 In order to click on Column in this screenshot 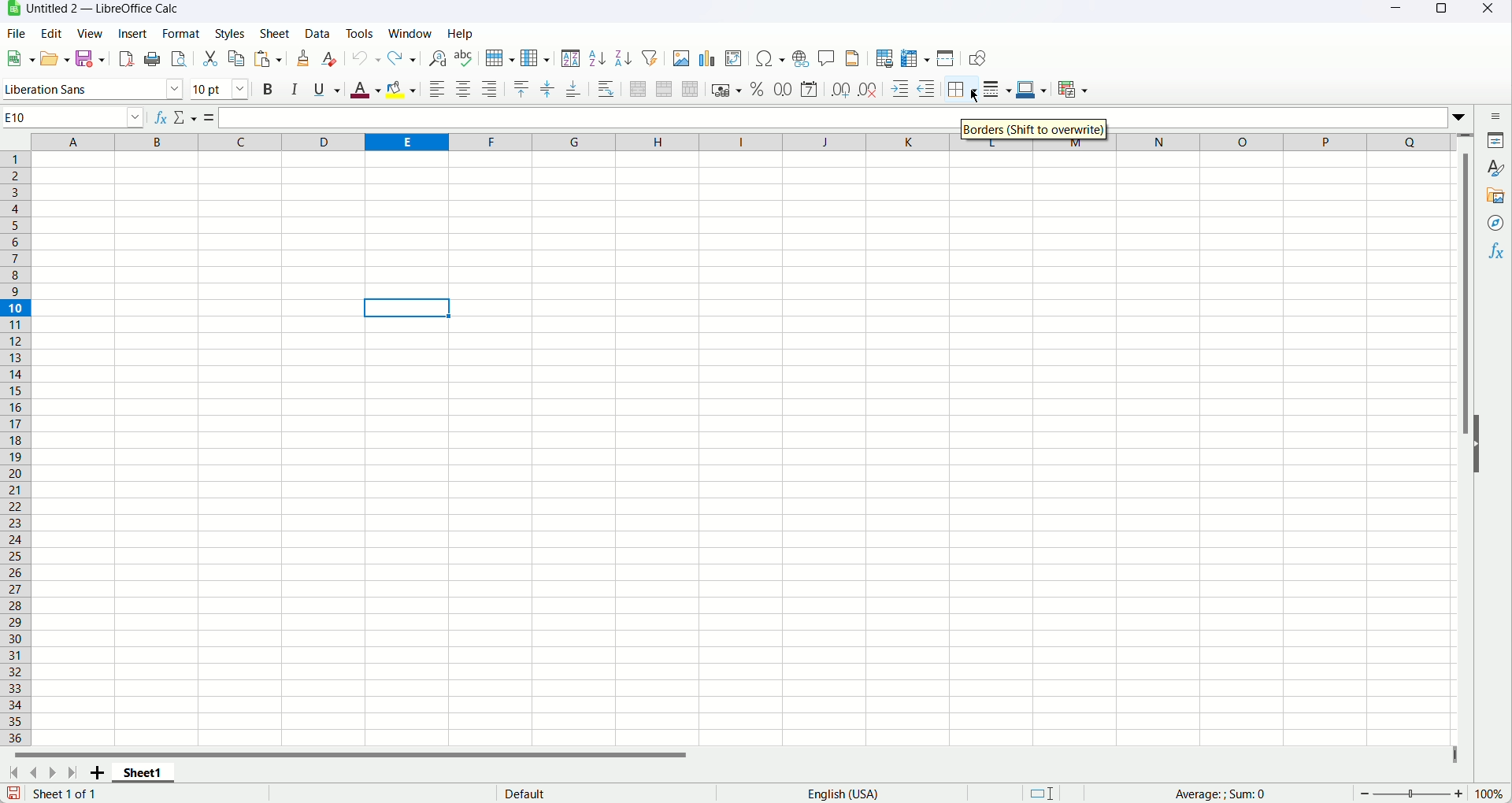, I will do `click(536, 57)`.